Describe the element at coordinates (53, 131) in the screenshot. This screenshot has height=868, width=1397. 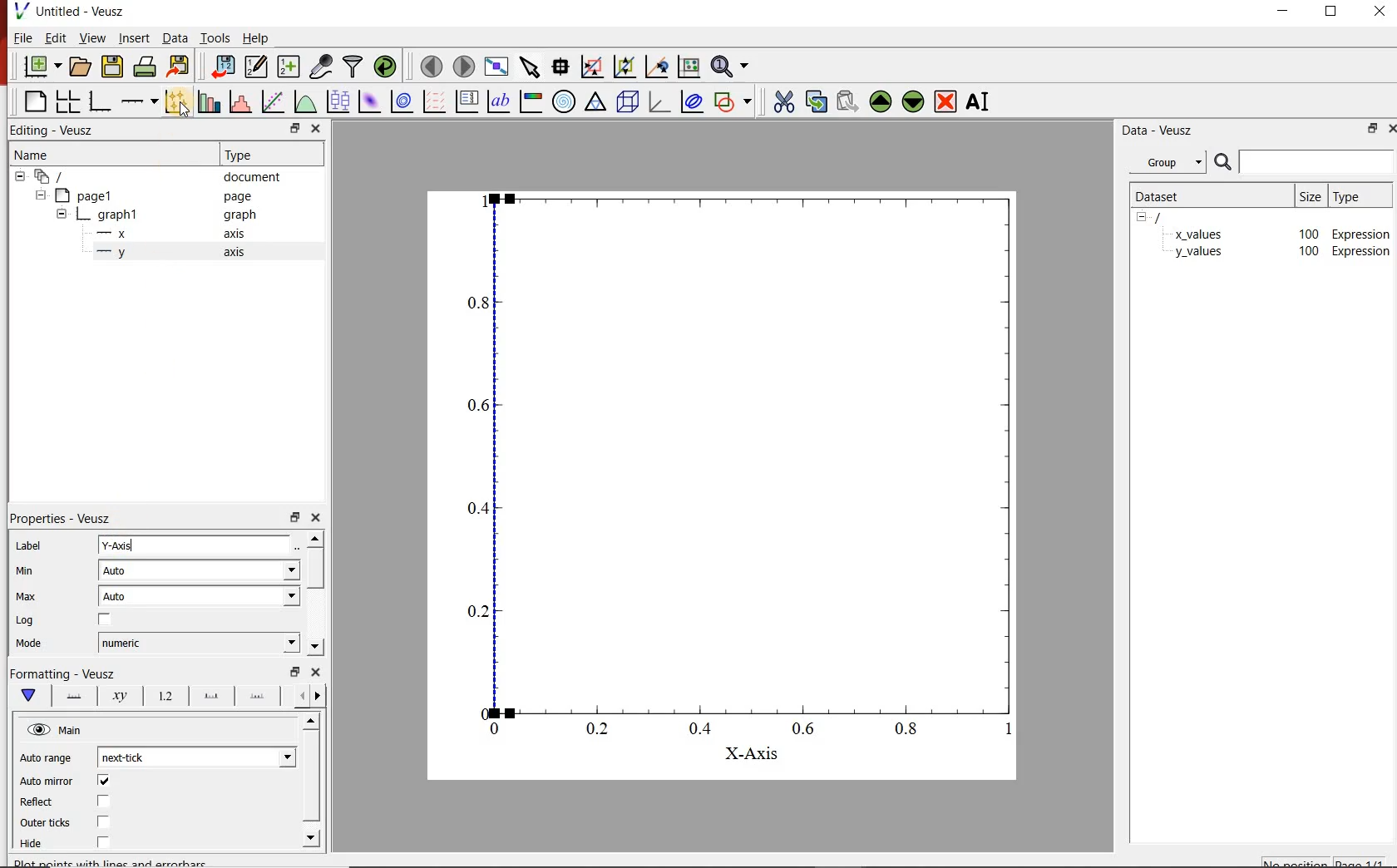
I see `Editing - Veusz` at that location.